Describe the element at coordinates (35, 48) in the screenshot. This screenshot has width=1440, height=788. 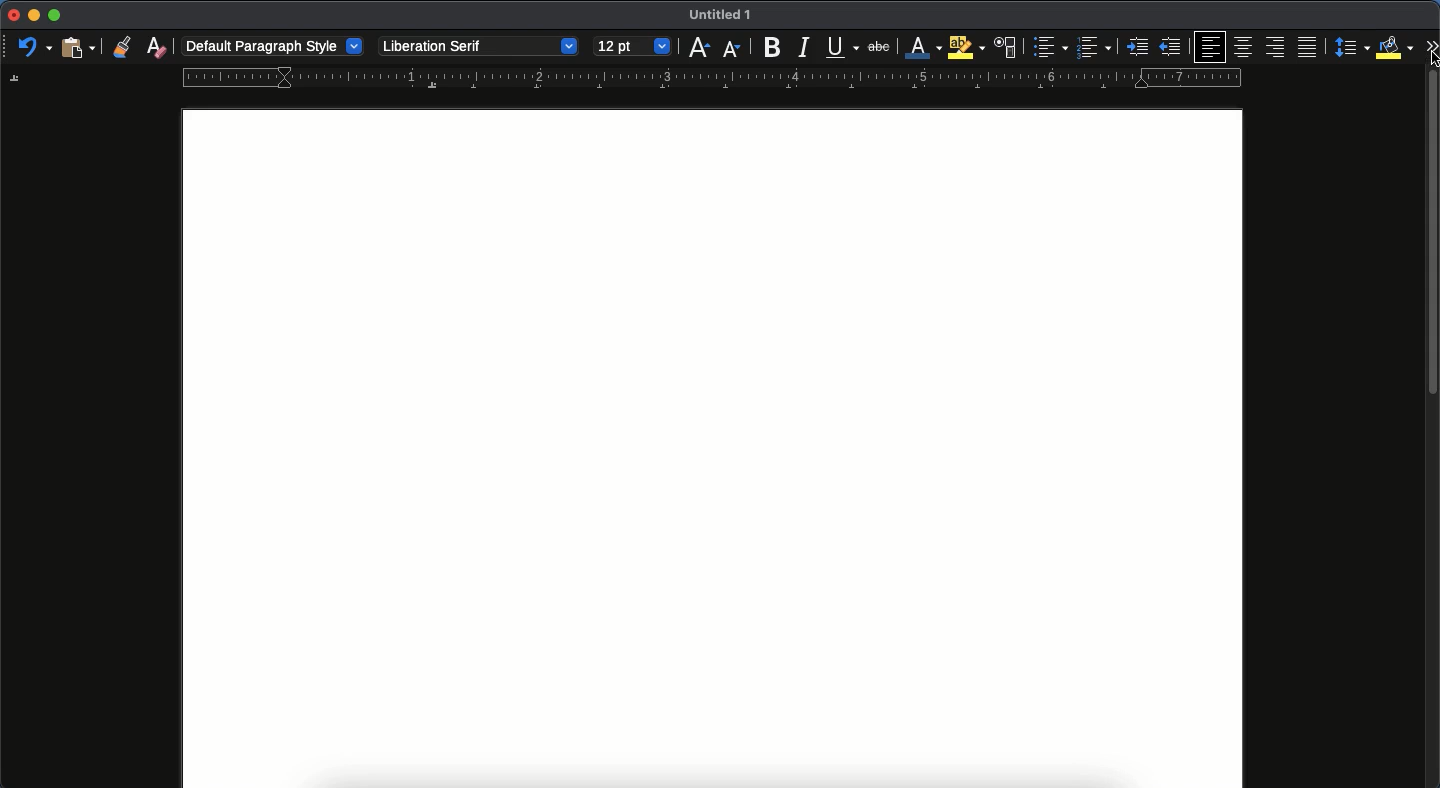
I see `undo` at that location.